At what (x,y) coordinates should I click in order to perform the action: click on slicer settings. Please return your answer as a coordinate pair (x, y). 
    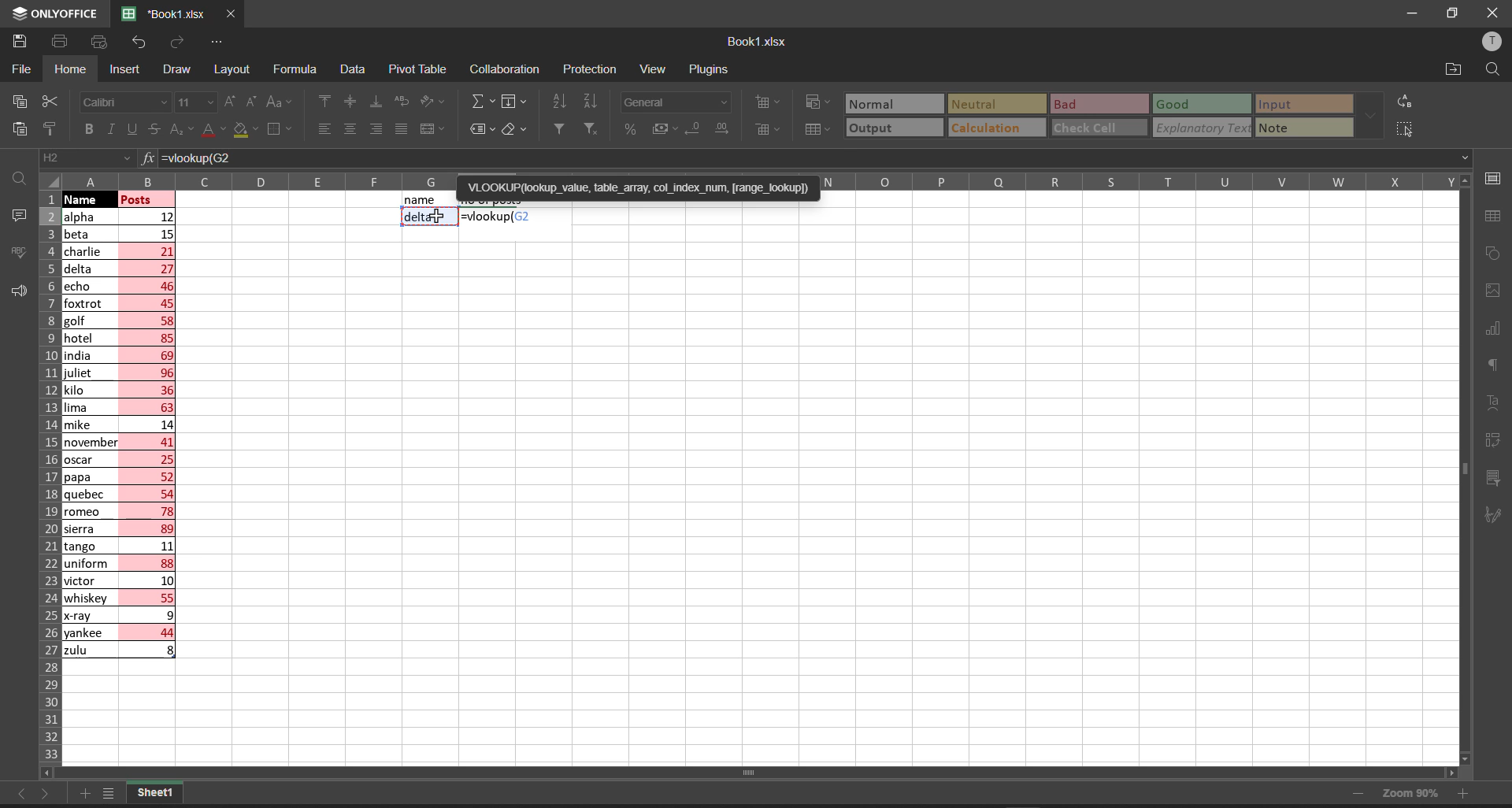
    Looking at the image, I should click on (1501, 474).